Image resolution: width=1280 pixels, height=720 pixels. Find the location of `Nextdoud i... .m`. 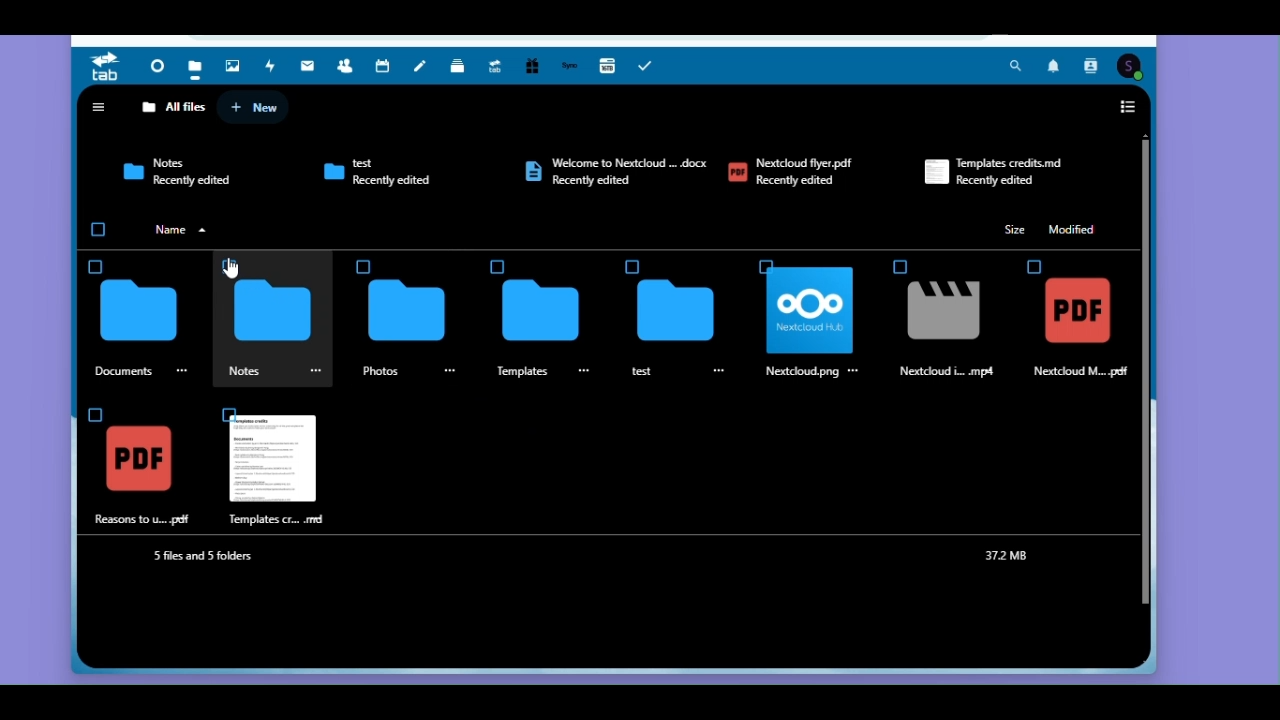

Nextdoud i... .m is located at coordinates (950, 372).